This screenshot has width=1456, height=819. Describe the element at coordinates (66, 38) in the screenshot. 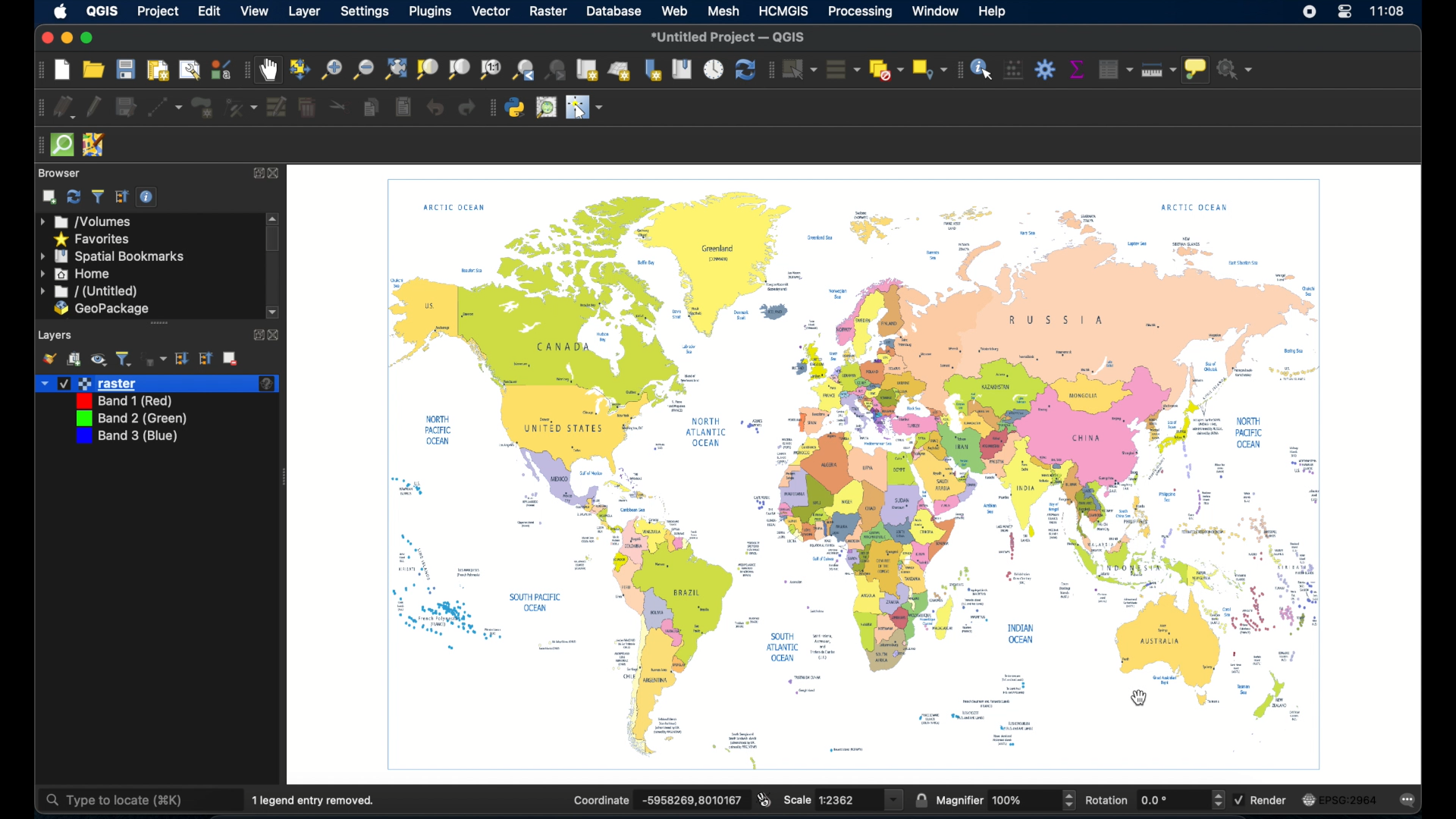

I see `minimize` at that location.